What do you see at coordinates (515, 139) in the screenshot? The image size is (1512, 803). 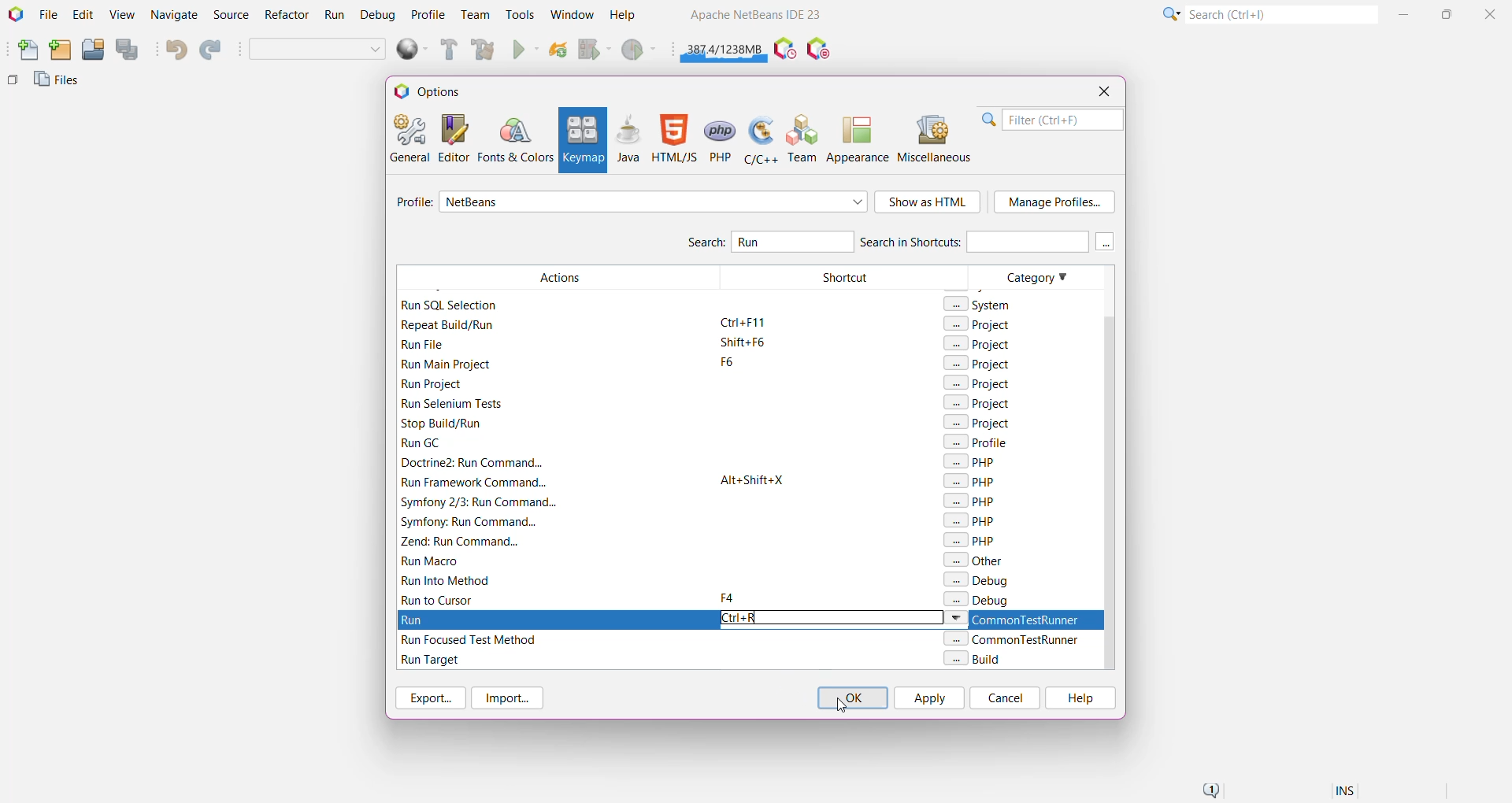 I see `Fonts and Colors` at bounding box center [515, 139].